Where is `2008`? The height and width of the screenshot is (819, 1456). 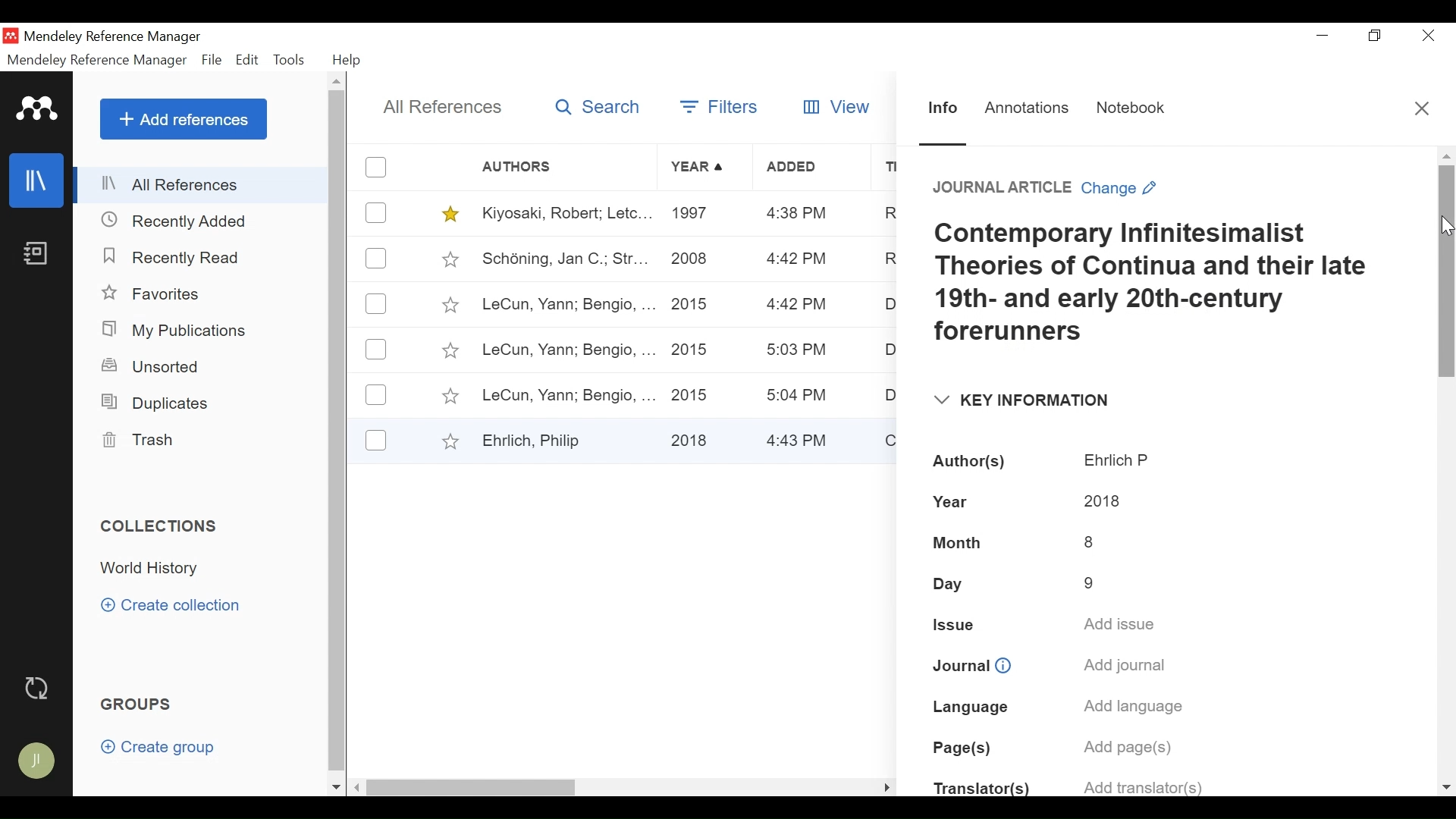
2008 is located at coordinates (691, 262).